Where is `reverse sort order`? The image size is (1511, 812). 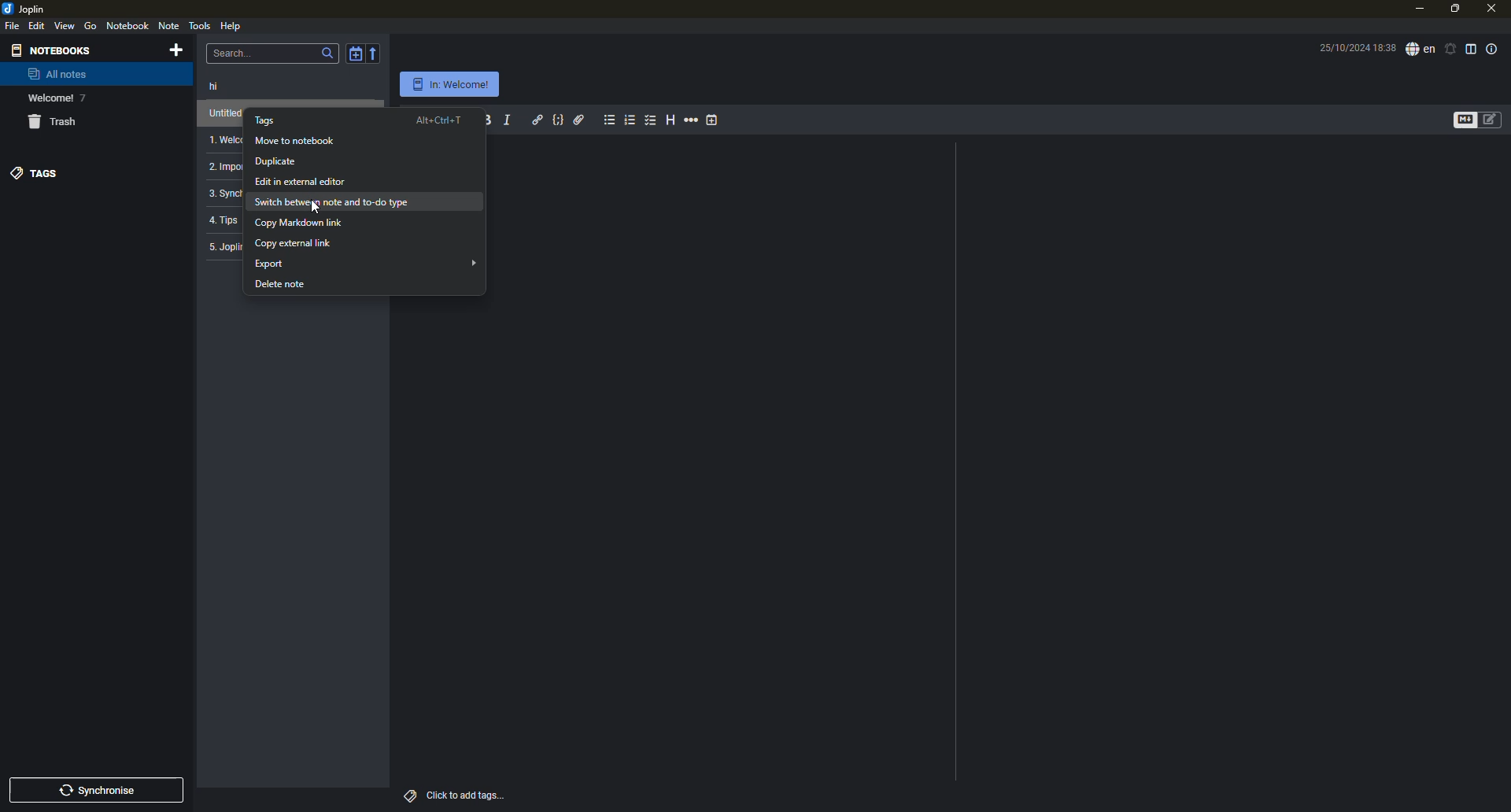 reverse sort order is located at coordinates (376, 52).